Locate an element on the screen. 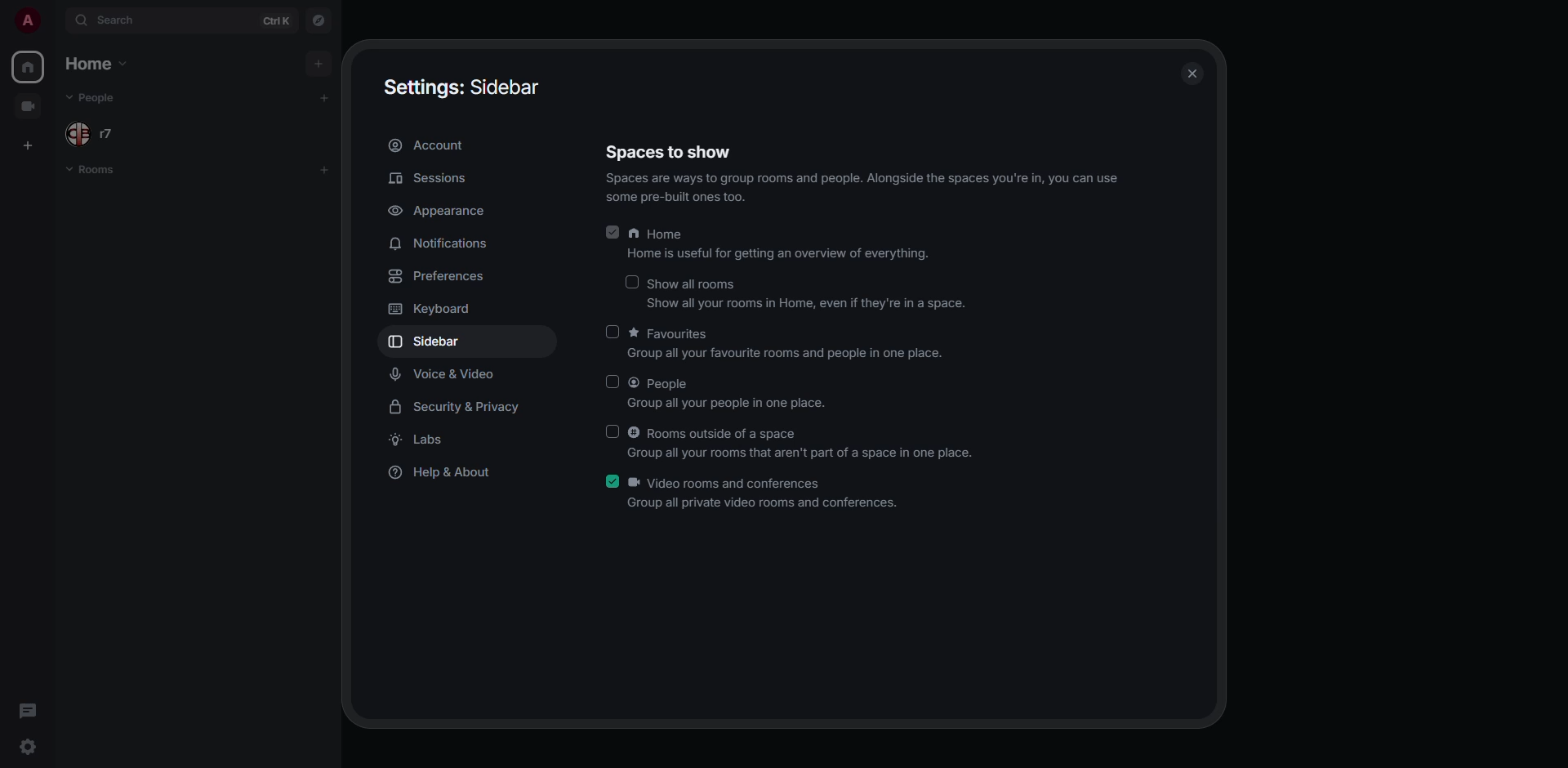 This screenshot has width=1568, height=768. labs is located at coordinates (428, 441).